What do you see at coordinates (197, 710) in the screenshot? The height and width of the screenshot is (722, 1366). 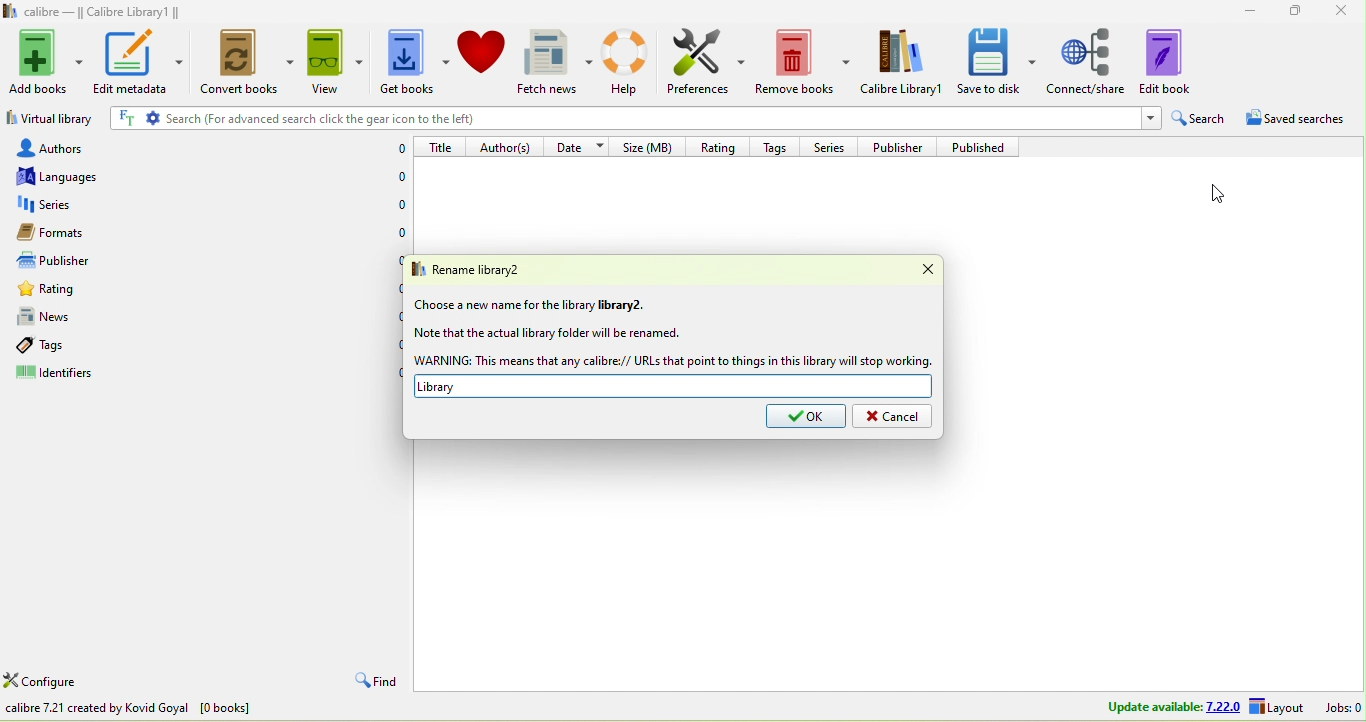 I see `choose calibre library to work with calibrery library 1 [0 books]` at bounding box center [197, 710].